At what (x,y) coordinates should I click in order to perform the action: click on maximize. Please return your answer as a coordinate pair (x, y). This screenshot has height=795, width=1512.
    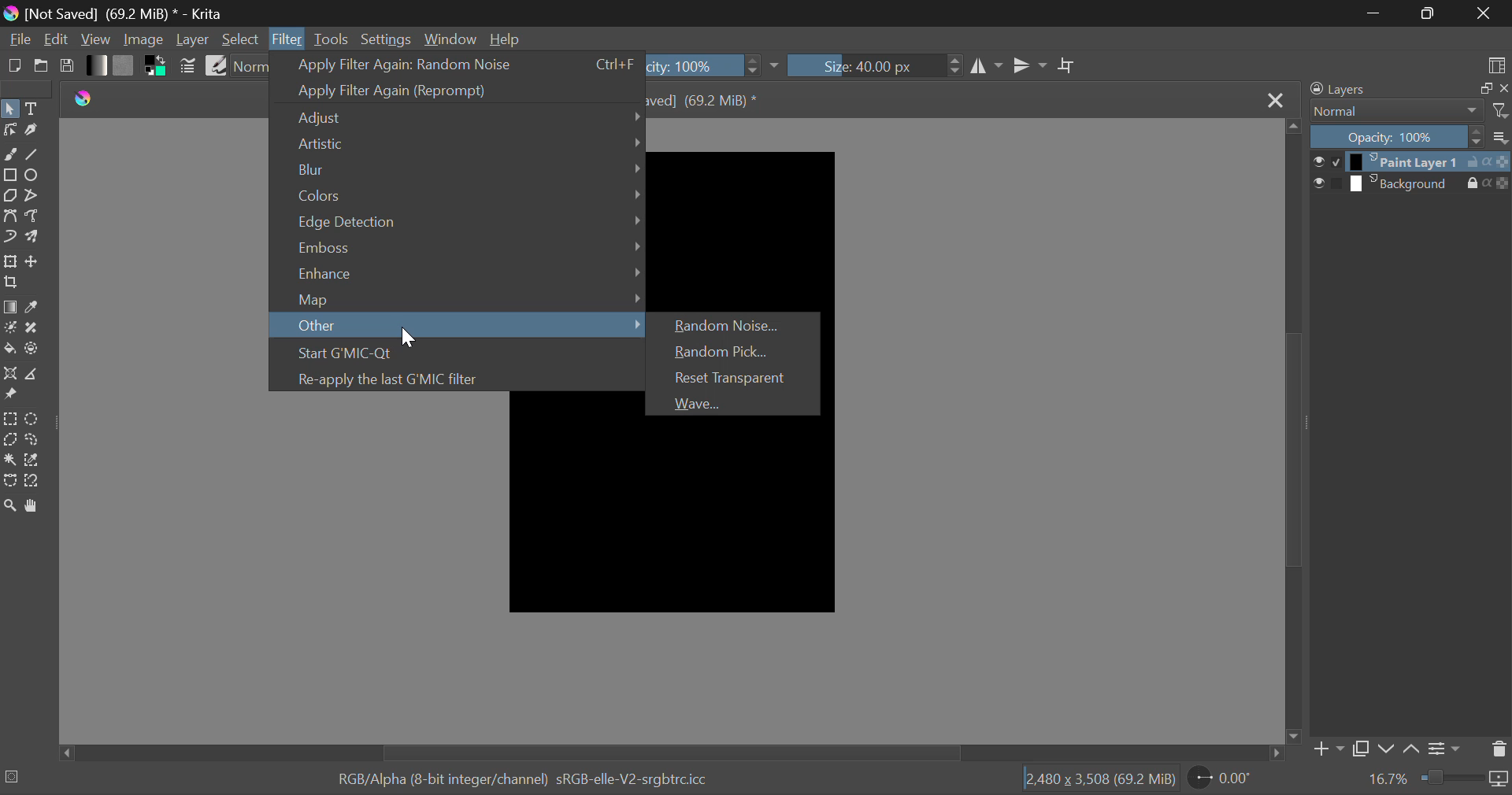
    Looking at the image, I should click on (1478, 88).